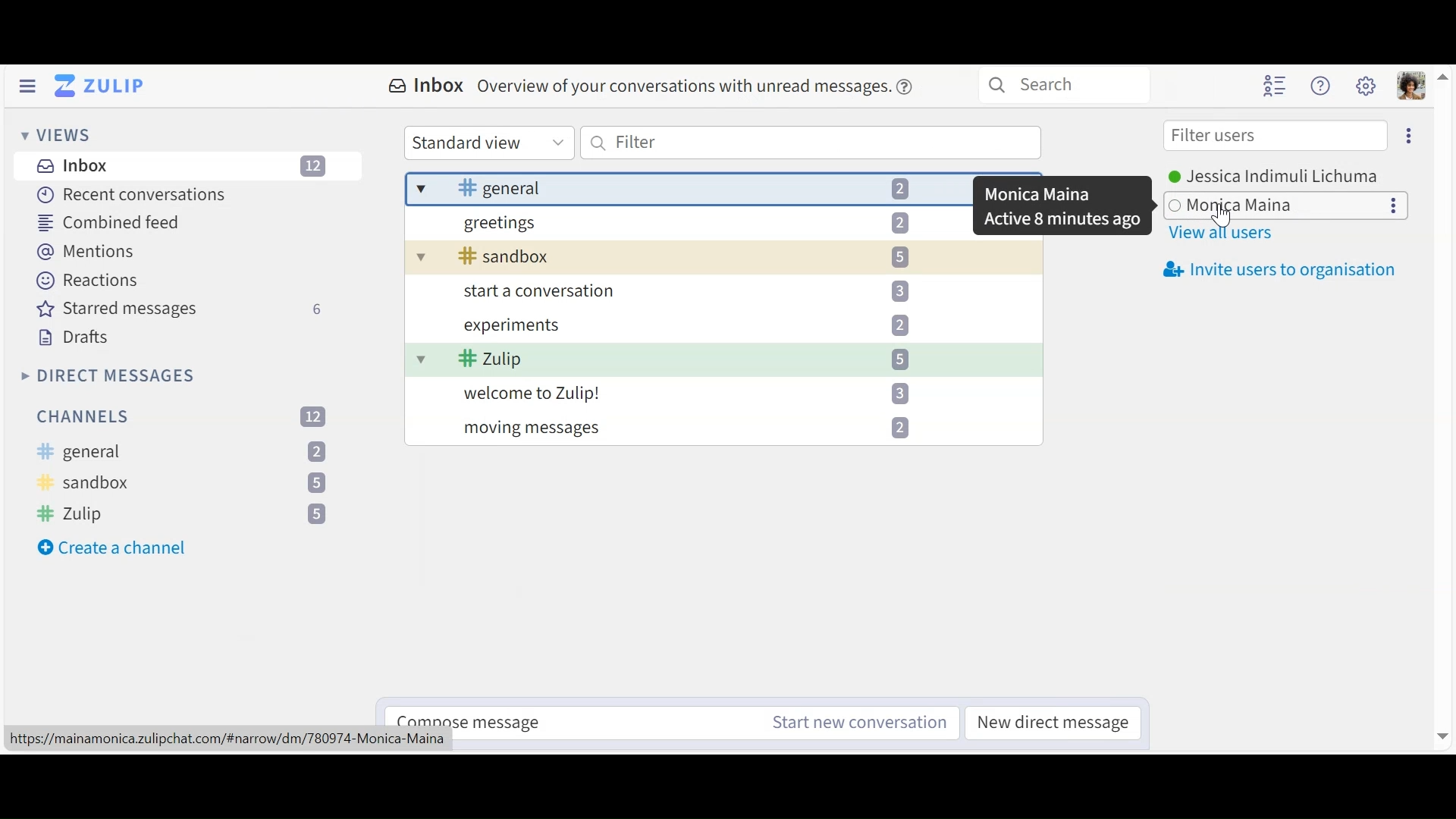  Describe the element at coordinates (87, 251) in the screenshot. I see `Mentions` at that location.